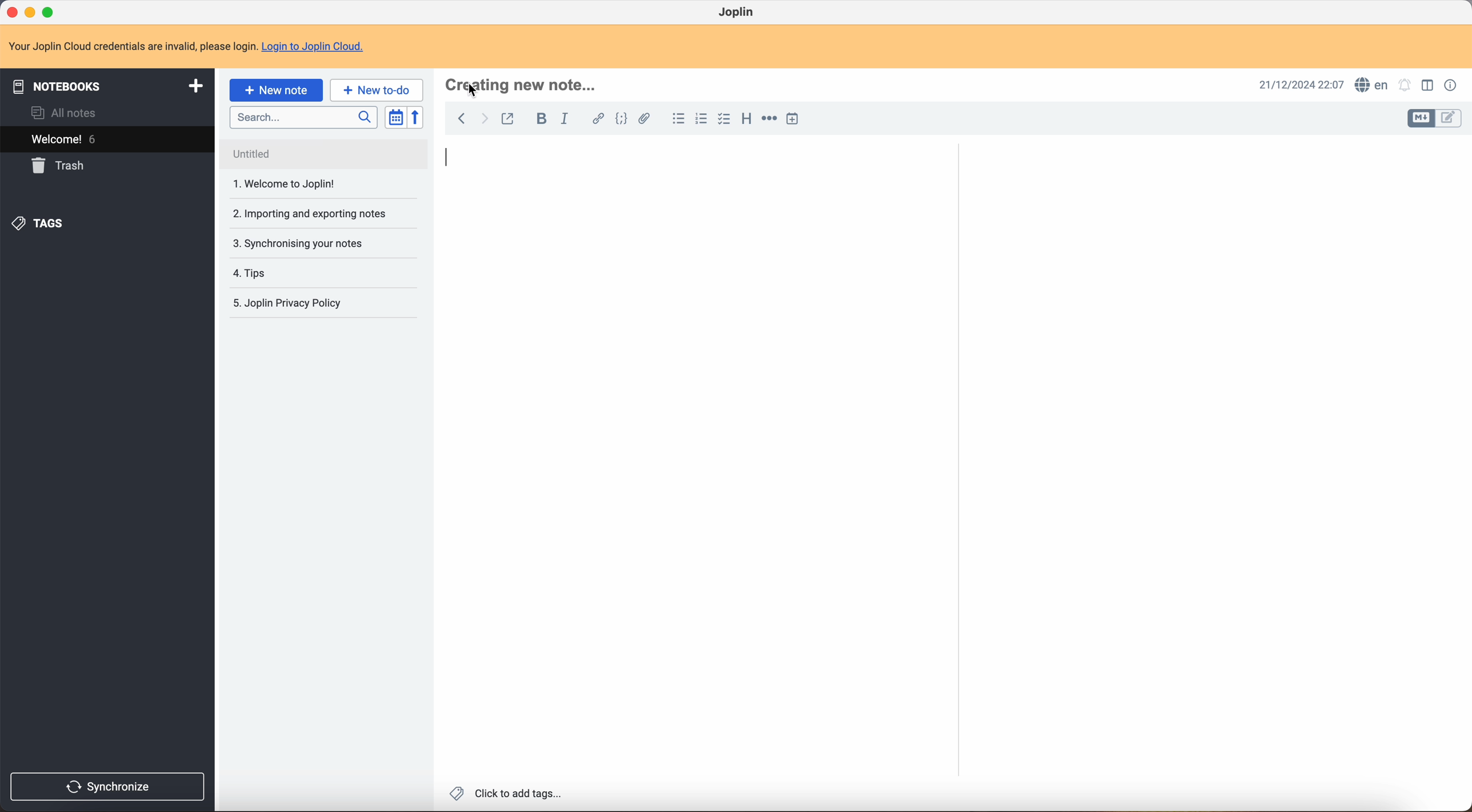  What do you see at coordinates (475, 91) in the screenshot?
I see `Cursor` at bounding box center [475, 91].